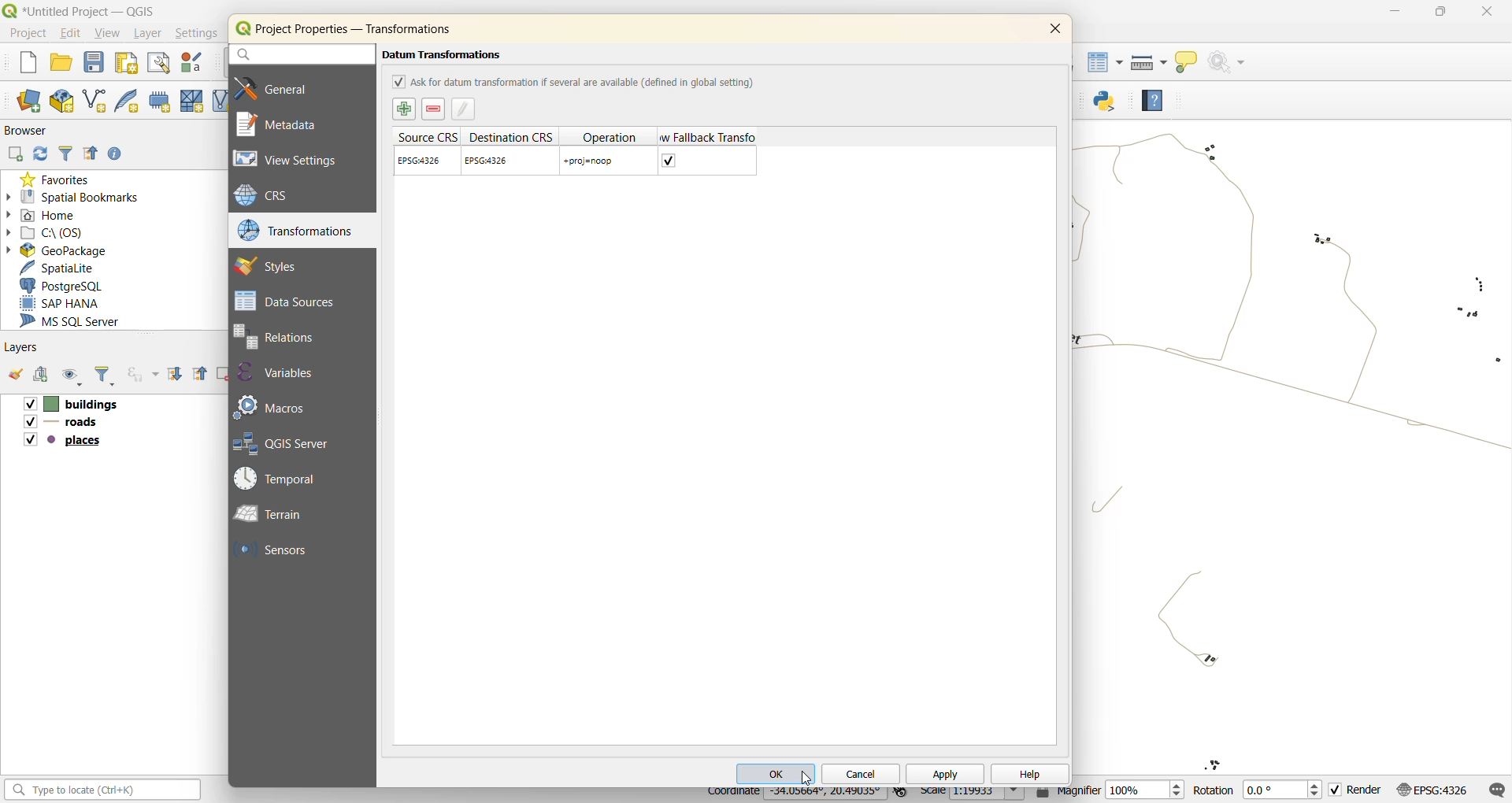 This screenshot has height=803, width=1512. Describe the element at coordinates (297, 230) in the screenshot. I see `transformations` at that location.